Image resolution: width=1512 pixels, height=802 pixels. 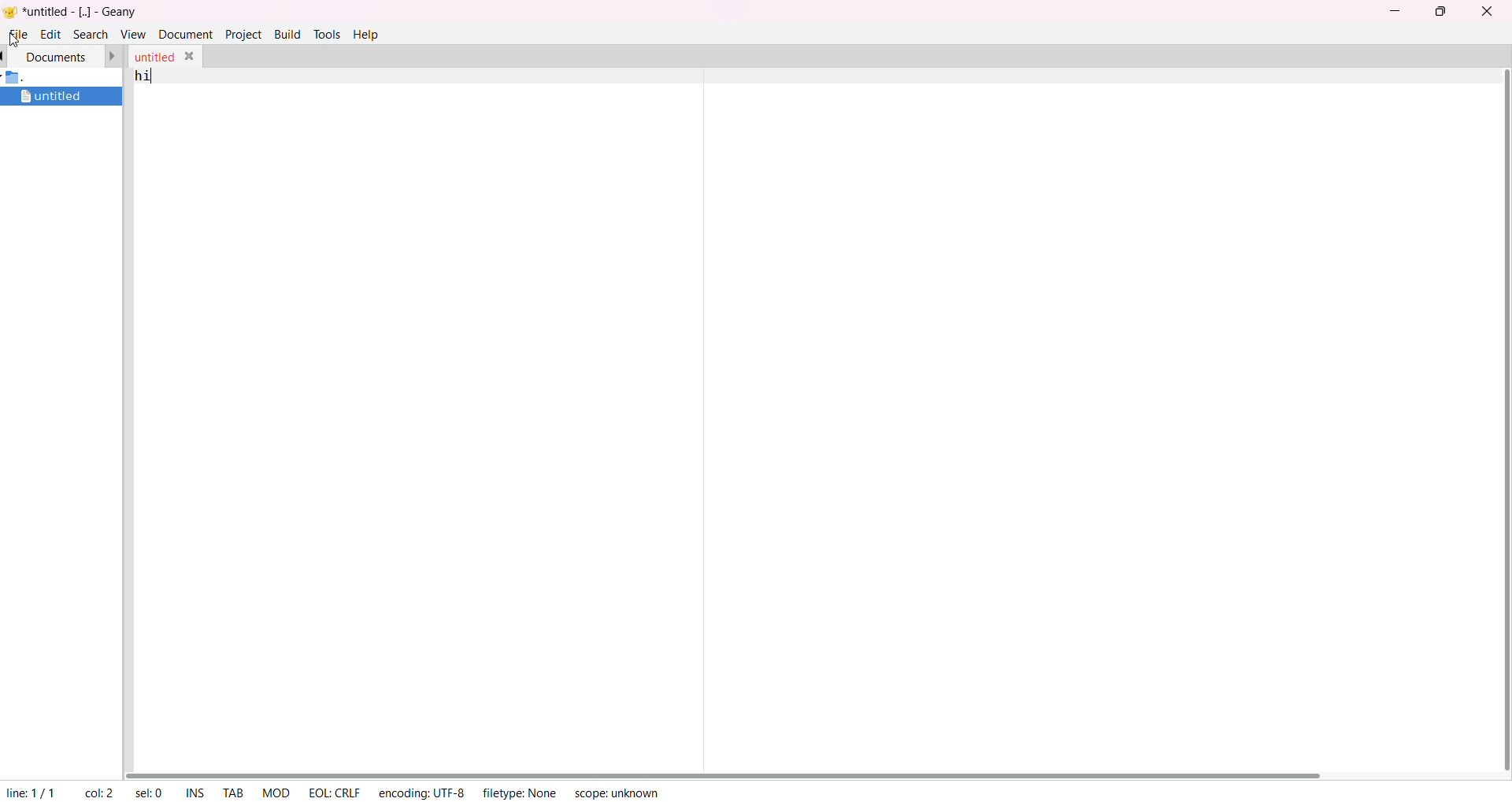 What do you see at coordinates (19, 34) in the screenshot?
I see `file` at bounding box center [19, 34].